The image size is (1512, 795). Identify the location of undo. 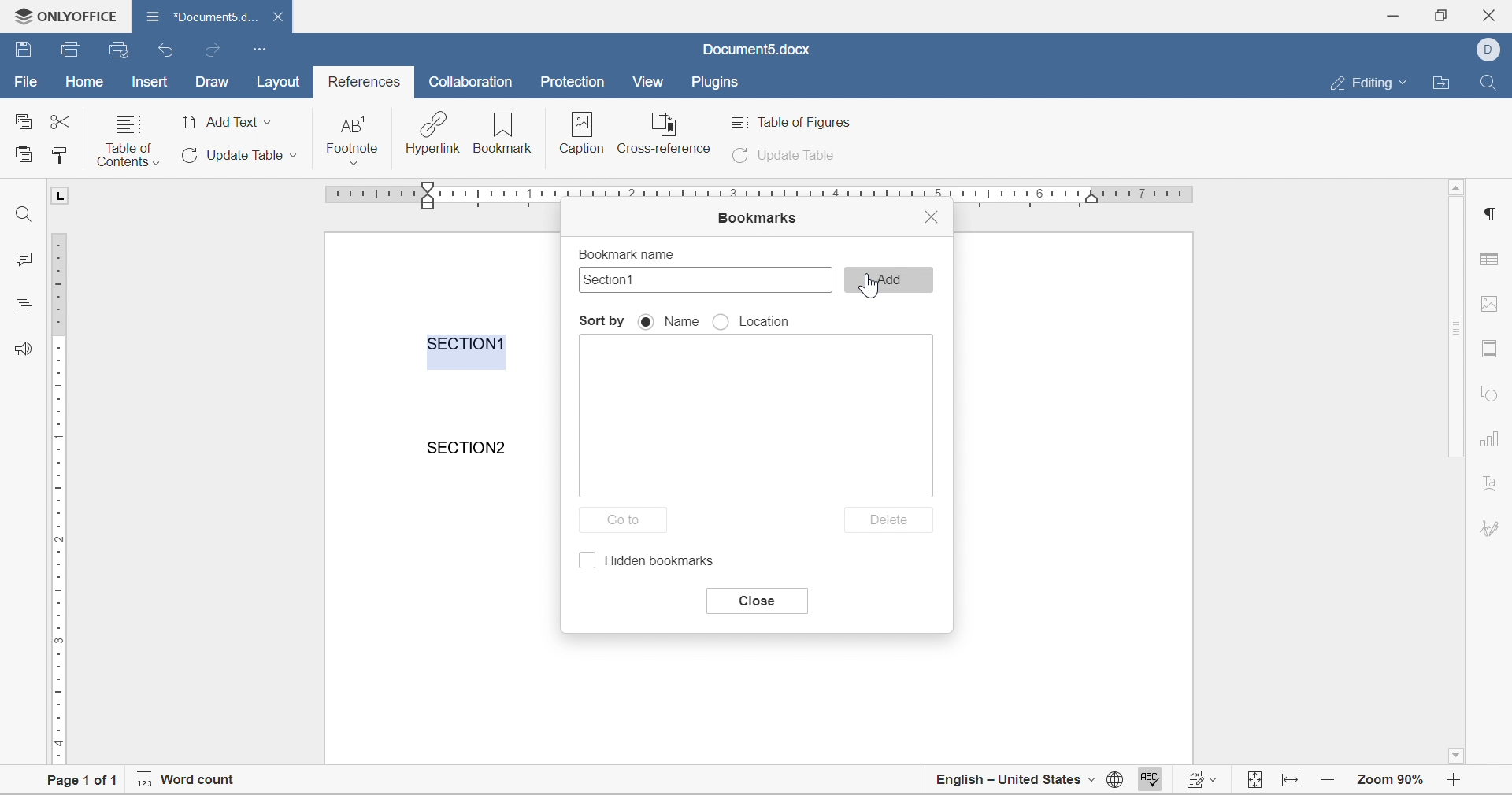
(168, 51).